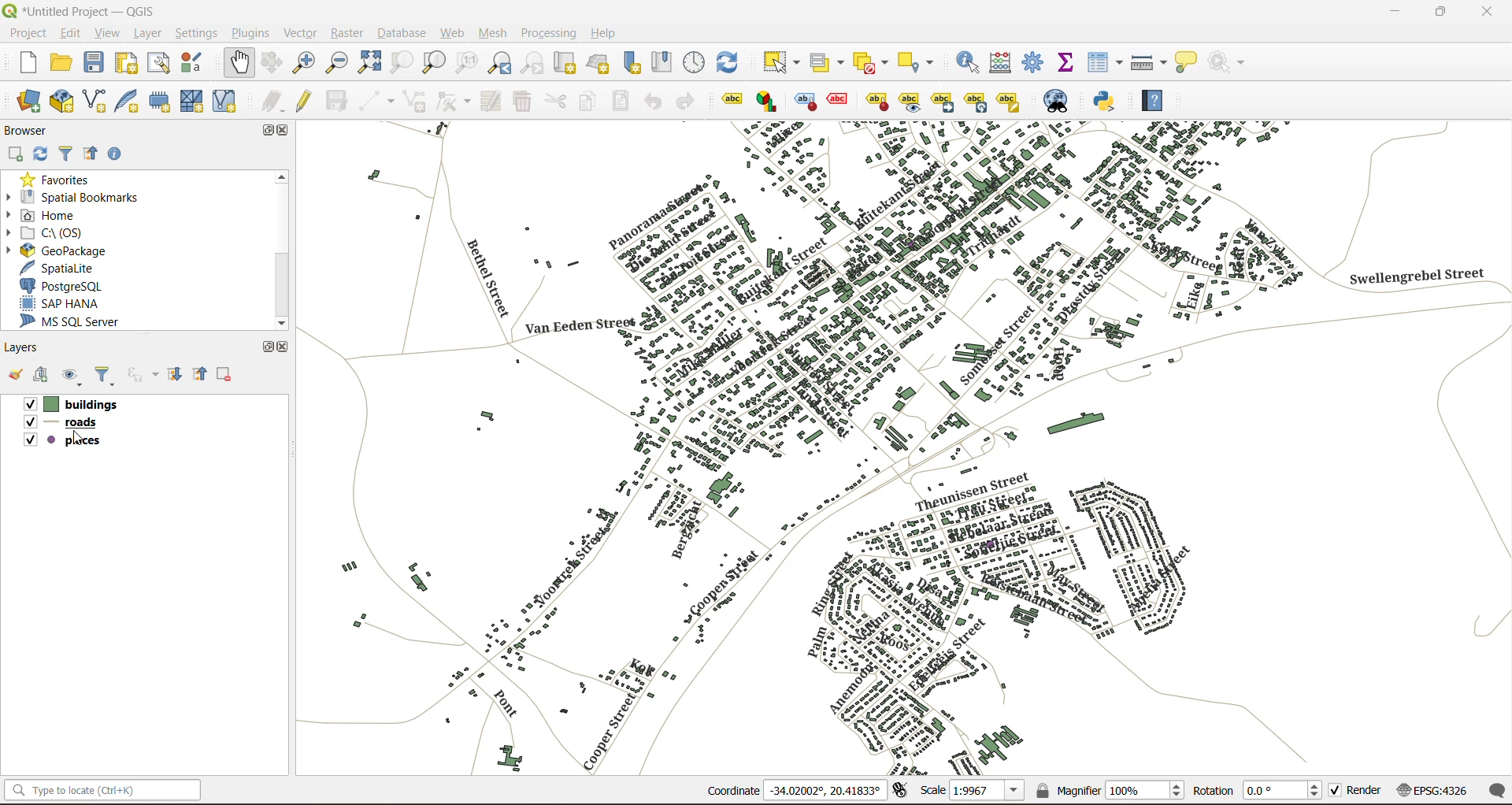 The image size is (1512, 805). Describe the element at coordinates (973, 792) in the screenshot. I see `scale` at that location.